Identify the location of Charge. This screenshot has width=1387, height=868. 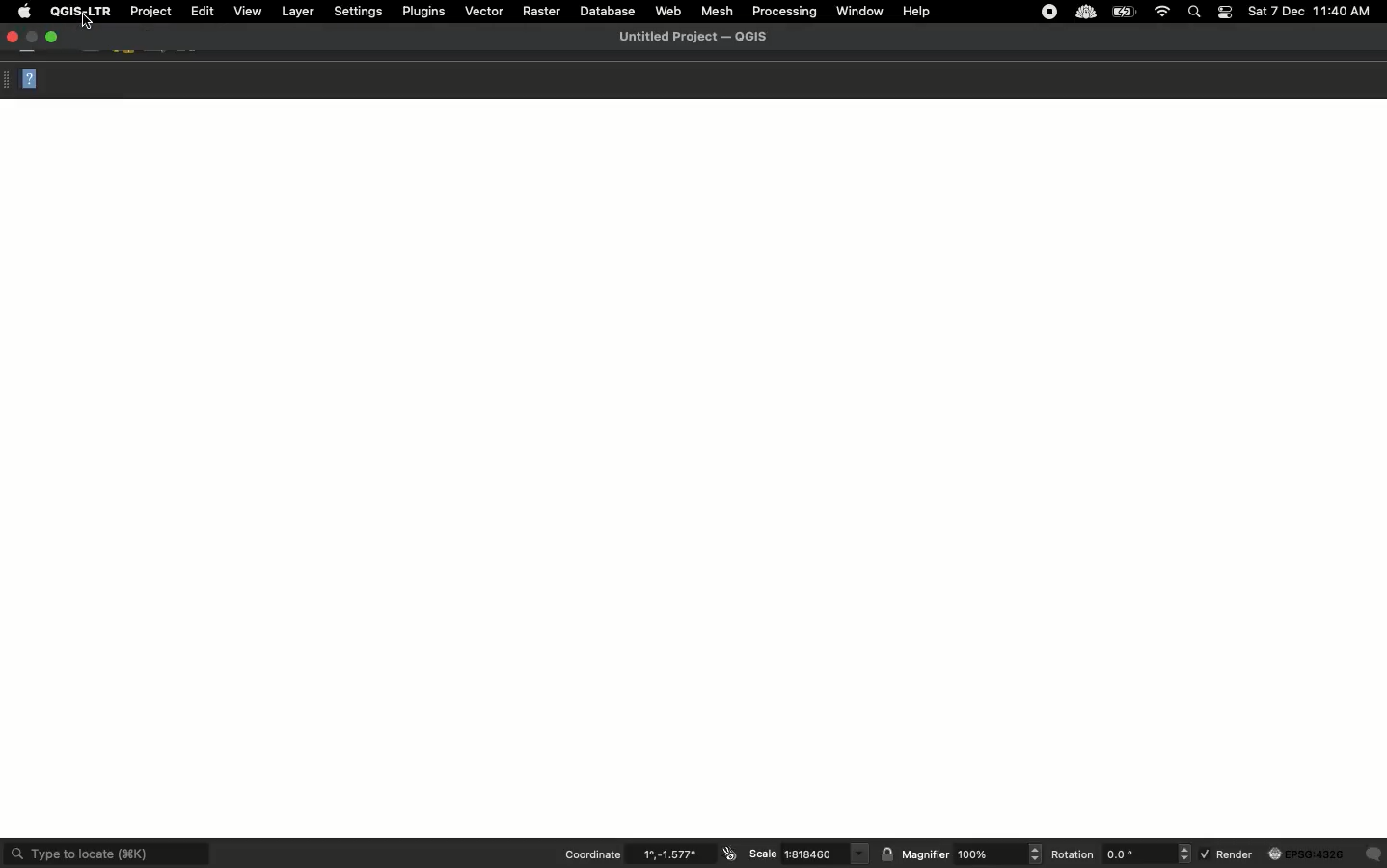
(1127, 13).